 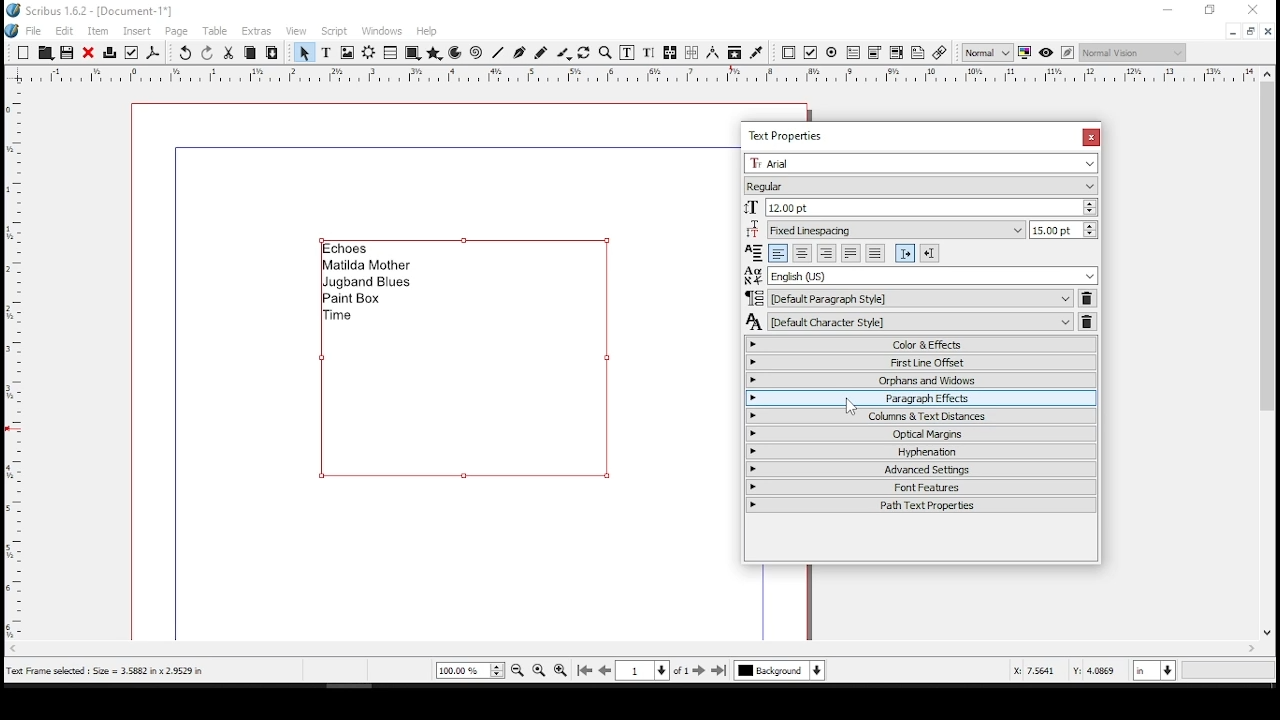 I want to click on copy item properties, so click(x=732, y=52).